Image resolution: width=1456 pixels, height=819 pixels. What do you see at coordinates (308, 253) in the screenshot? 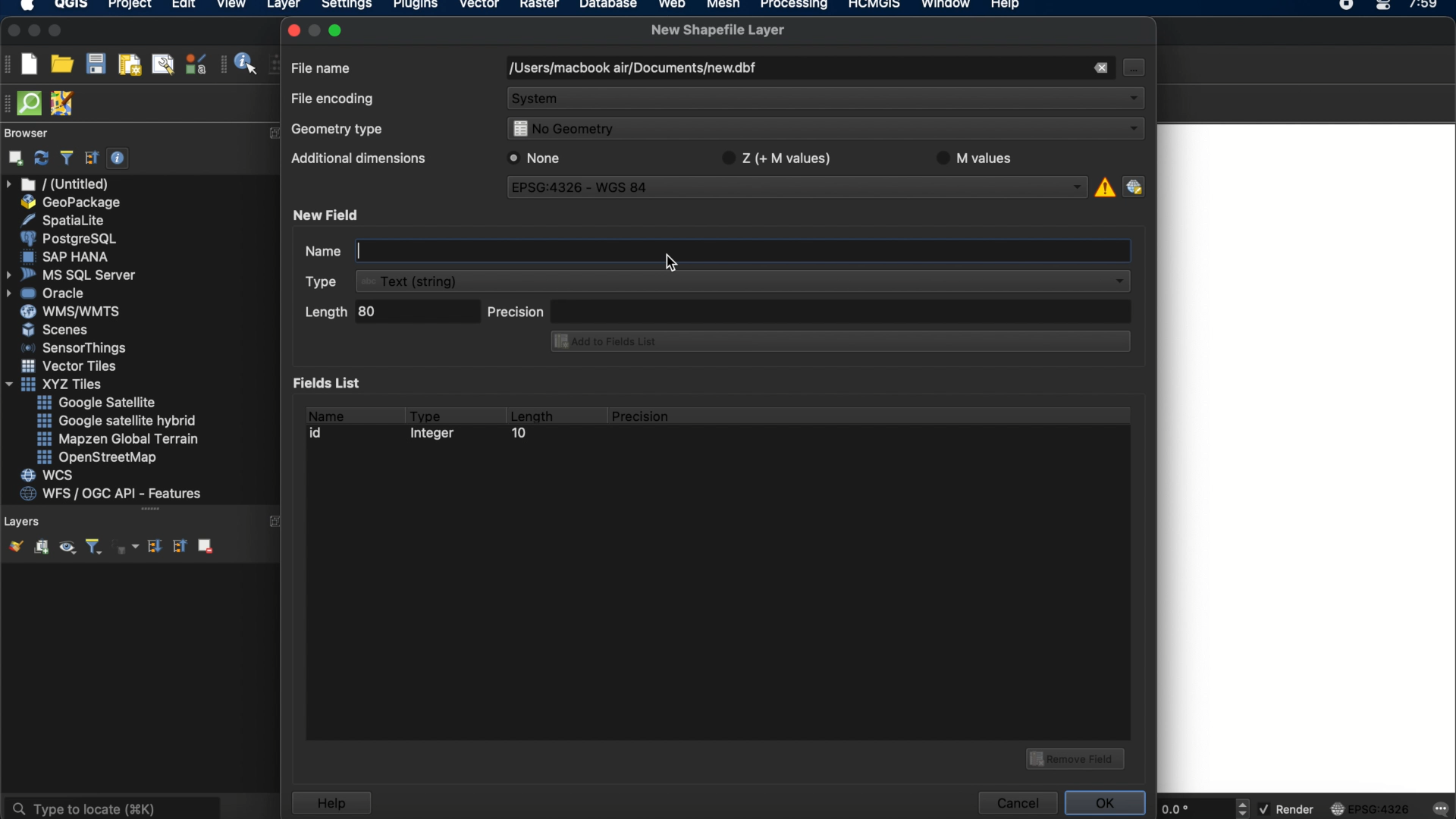
I see `Name` at bounding box center [308, 253].